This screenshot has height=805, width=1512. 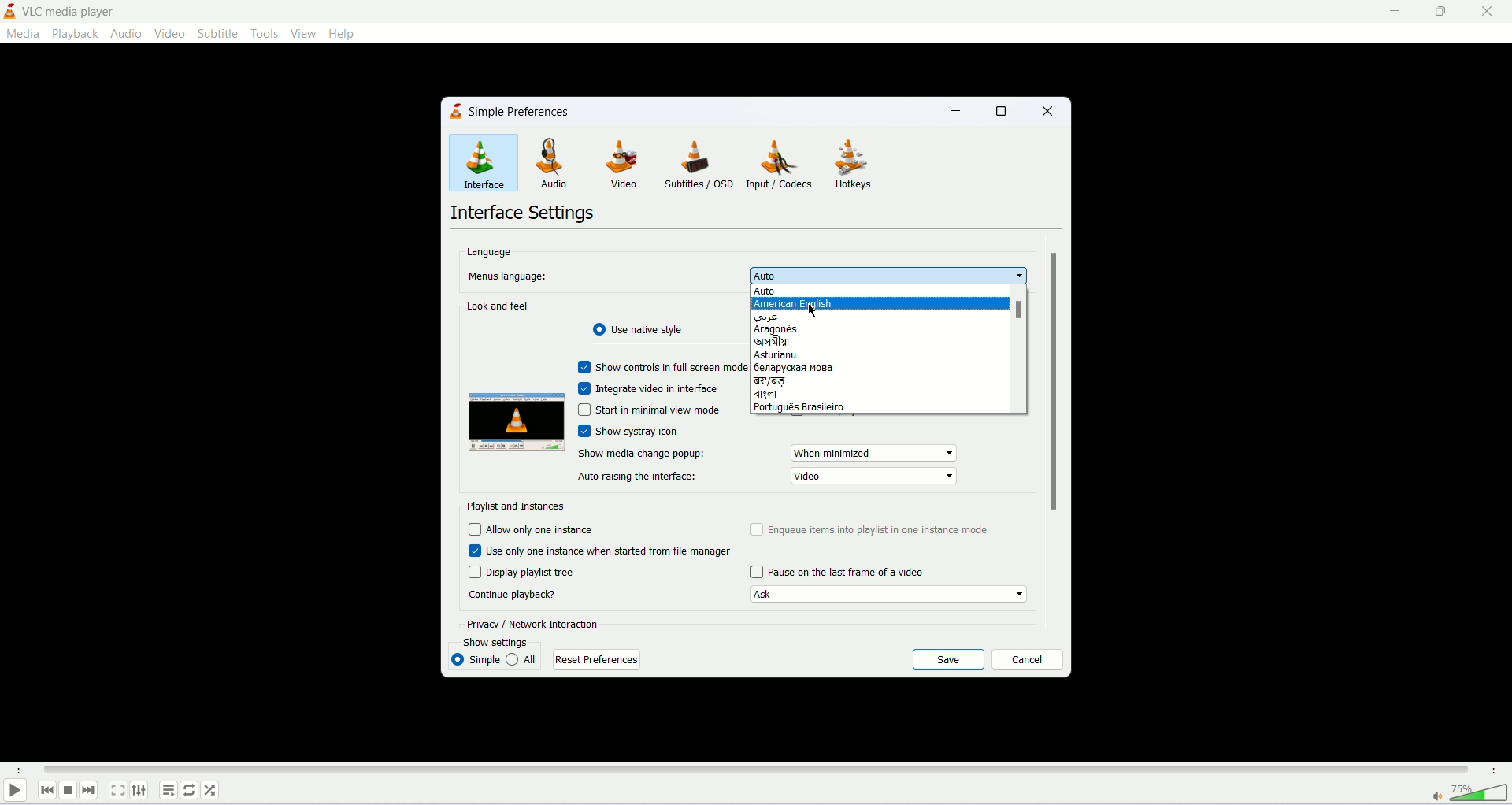 I want to click on fullscreen, so click(x=117, y=790).